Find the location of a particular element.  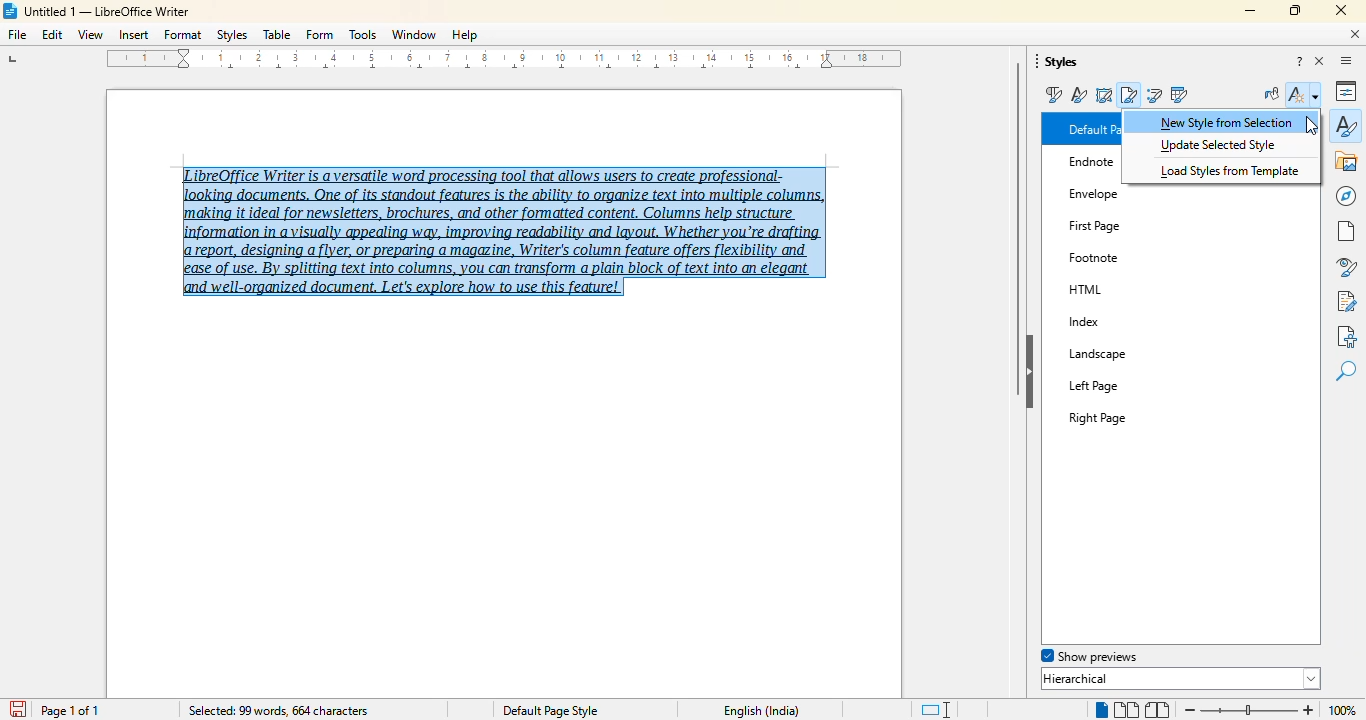

minimize is located at coordinates (1251, 10).